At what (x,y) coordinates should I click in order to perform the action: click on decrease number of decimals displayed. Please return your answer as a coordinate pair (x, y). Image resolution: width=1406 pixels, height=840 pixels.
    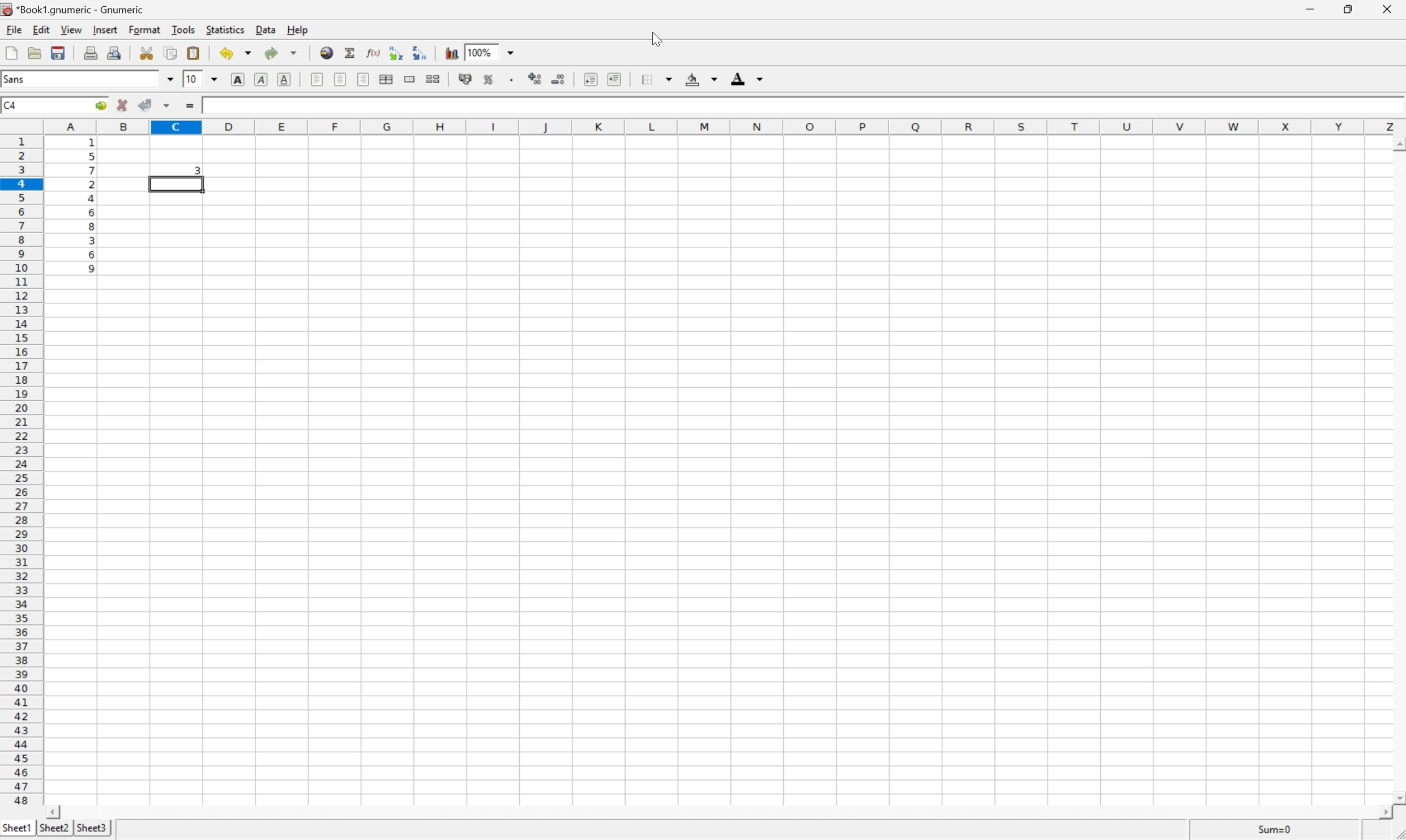
    Looking at the image, I should click on (561, 79).